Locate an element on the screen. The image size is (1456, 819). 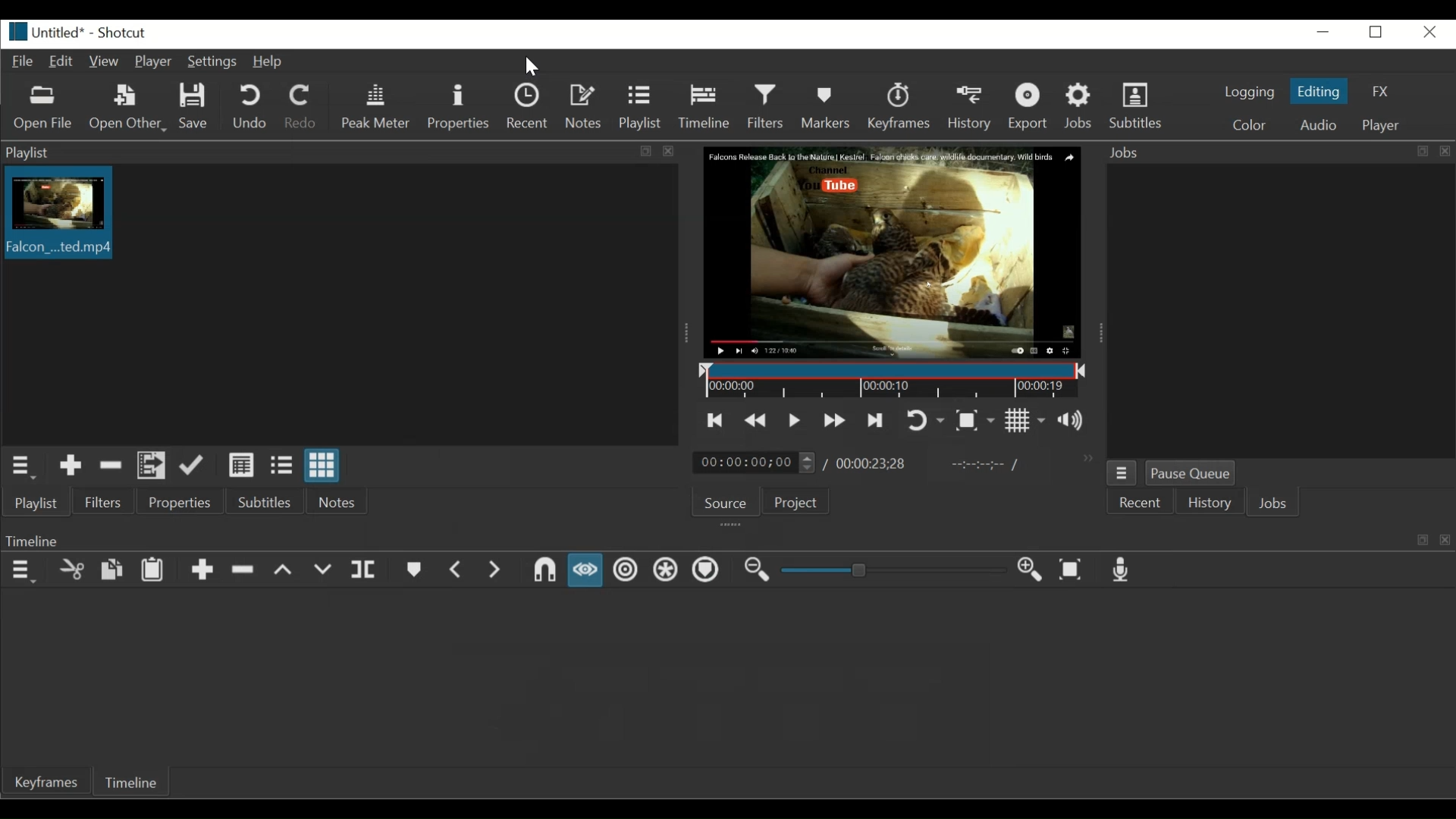
Peak Meter is located at coordinates (376, 107).